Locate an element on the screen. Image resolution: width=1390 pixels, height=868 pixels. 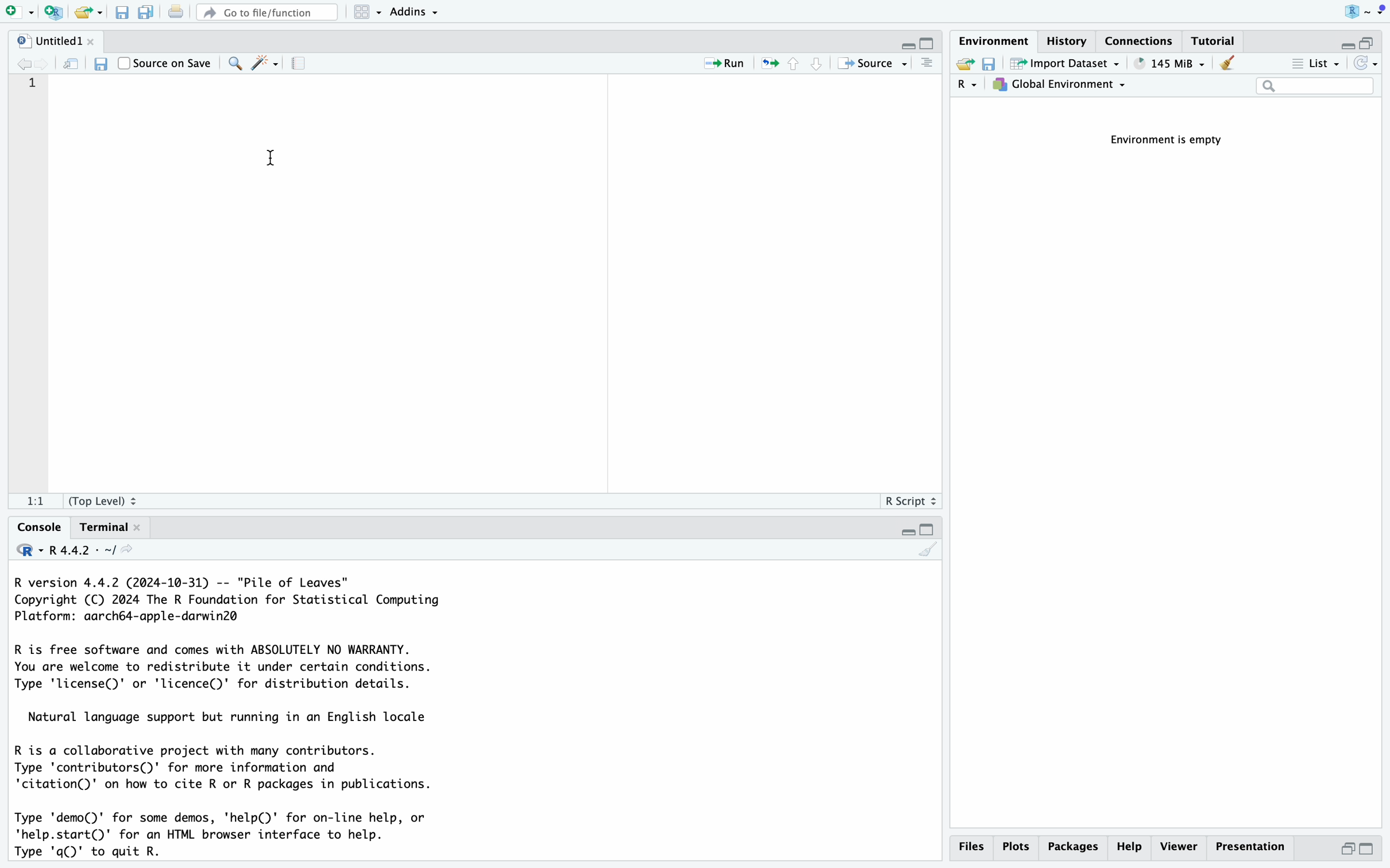
Untitled1 is located at coordinates (41, 39).